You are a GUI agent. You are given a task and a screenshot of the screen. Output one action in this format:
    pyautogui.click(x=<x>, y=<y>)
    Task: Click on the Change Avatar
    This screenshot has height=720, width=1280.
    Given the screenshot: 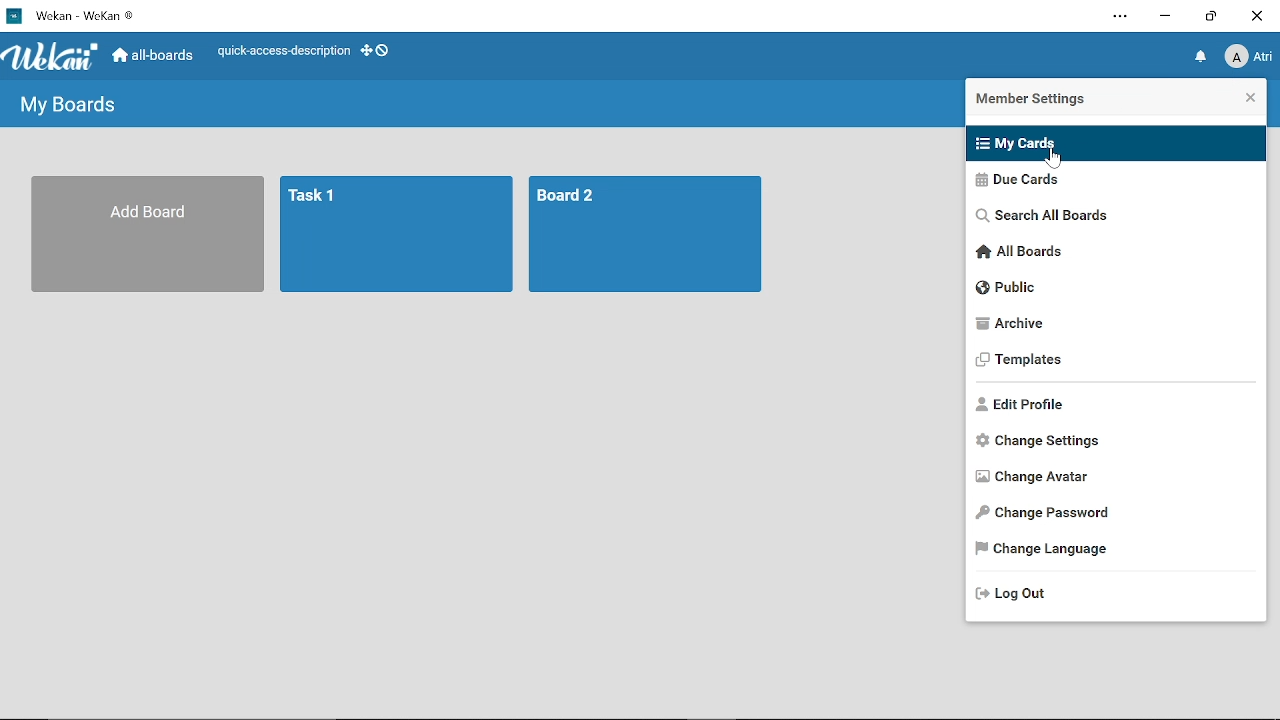 What is the action you would take?
    pyautogui.click(x=1114, y=479)
    